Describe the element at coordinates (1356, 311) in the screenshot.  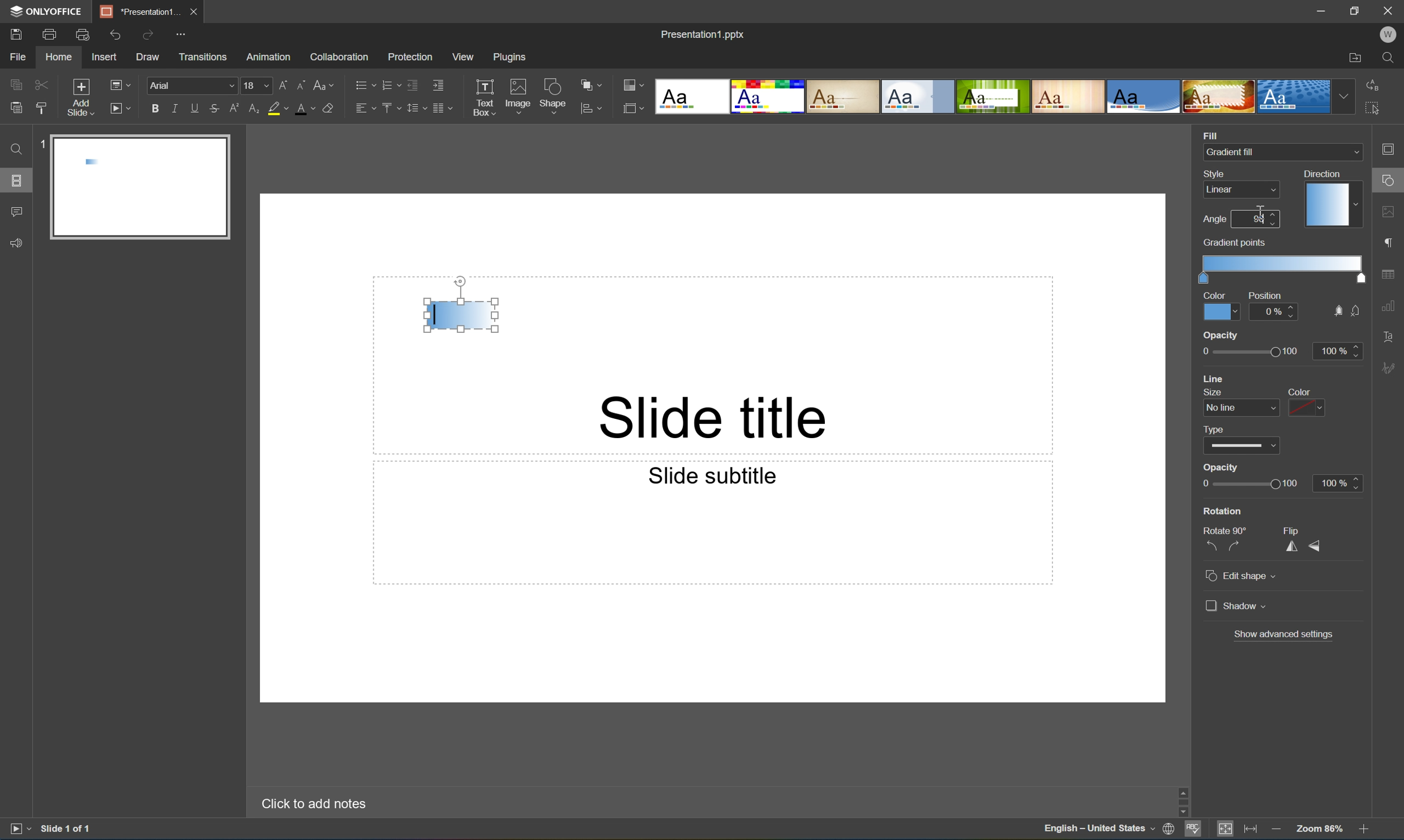
I see `no fill` at that location.